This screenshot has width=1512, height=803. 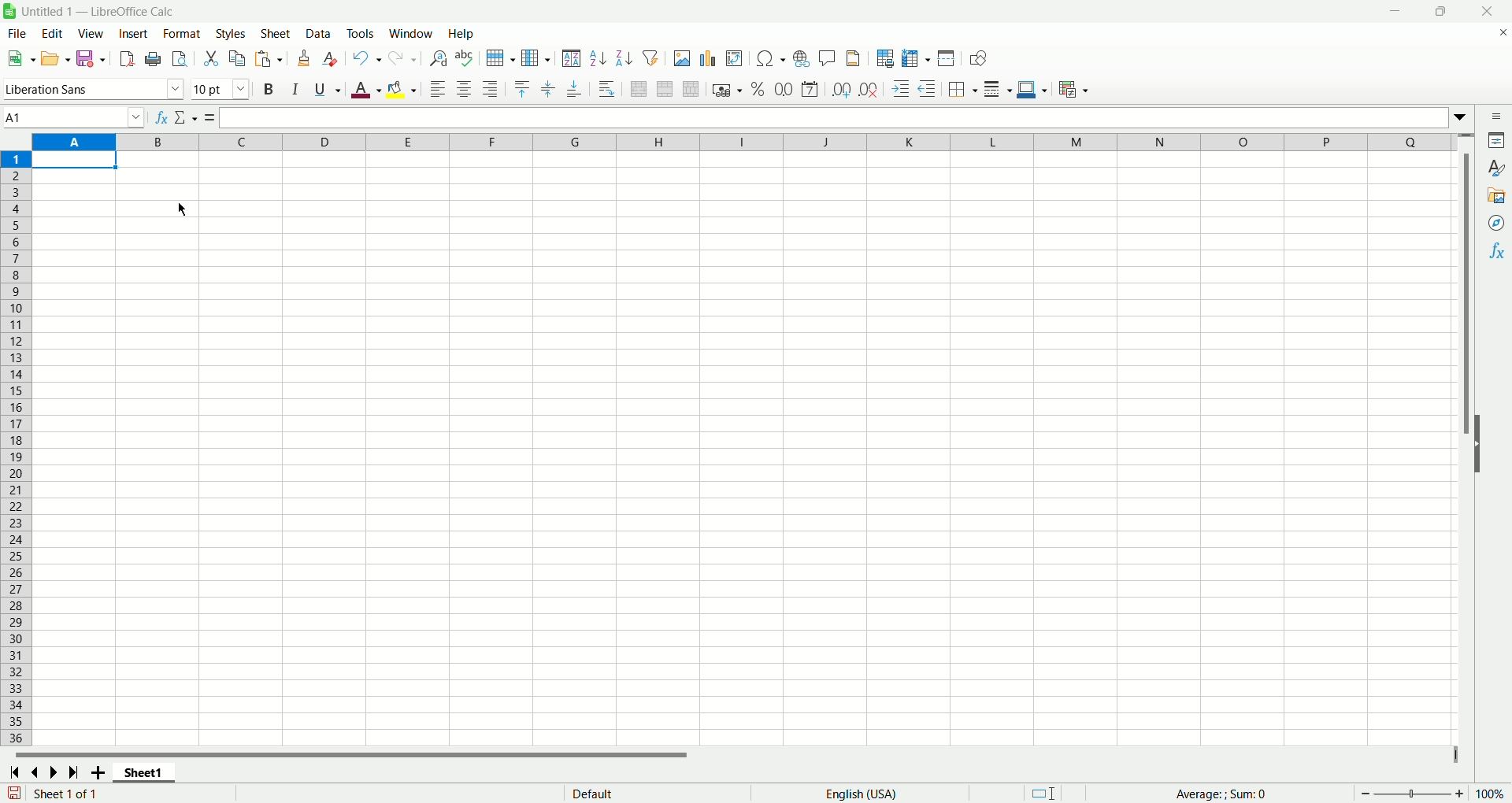 What do you see at coordinates (744, 451) in the screenshot?
I see `workbook` at bounding box center [744, 451].